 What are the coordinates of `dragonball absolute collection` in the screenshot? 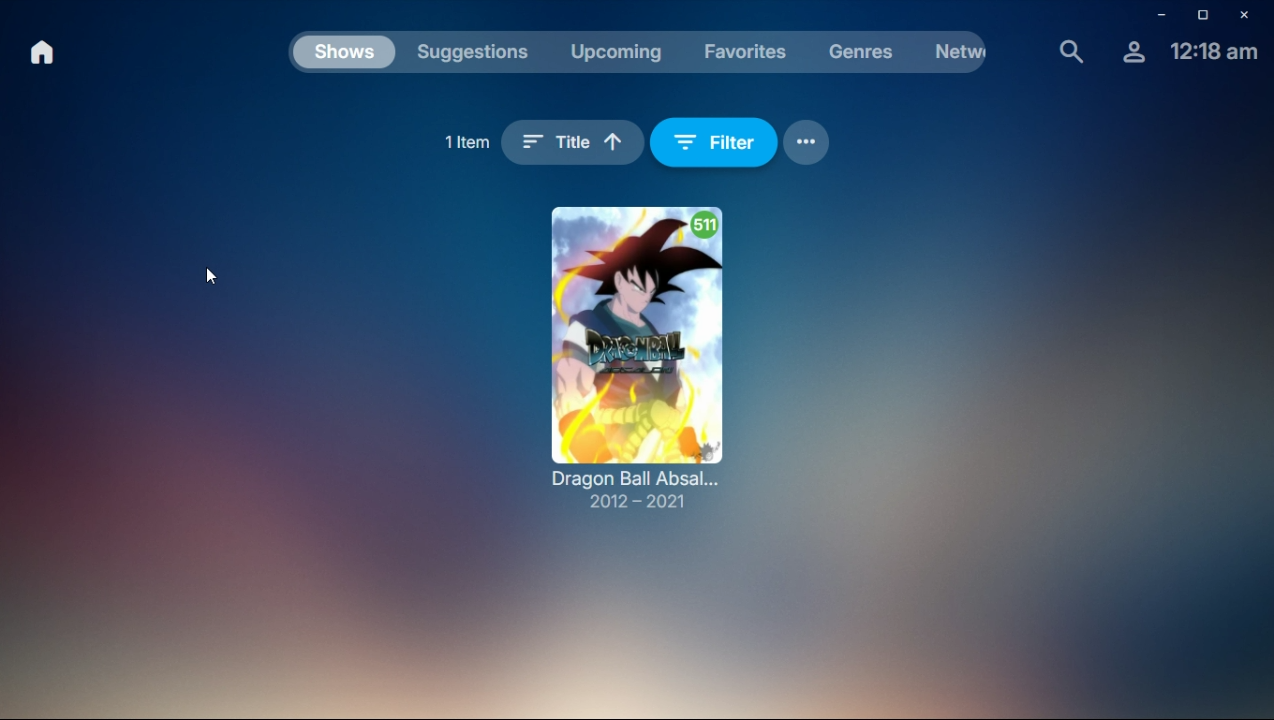 It's located at (635, 362).